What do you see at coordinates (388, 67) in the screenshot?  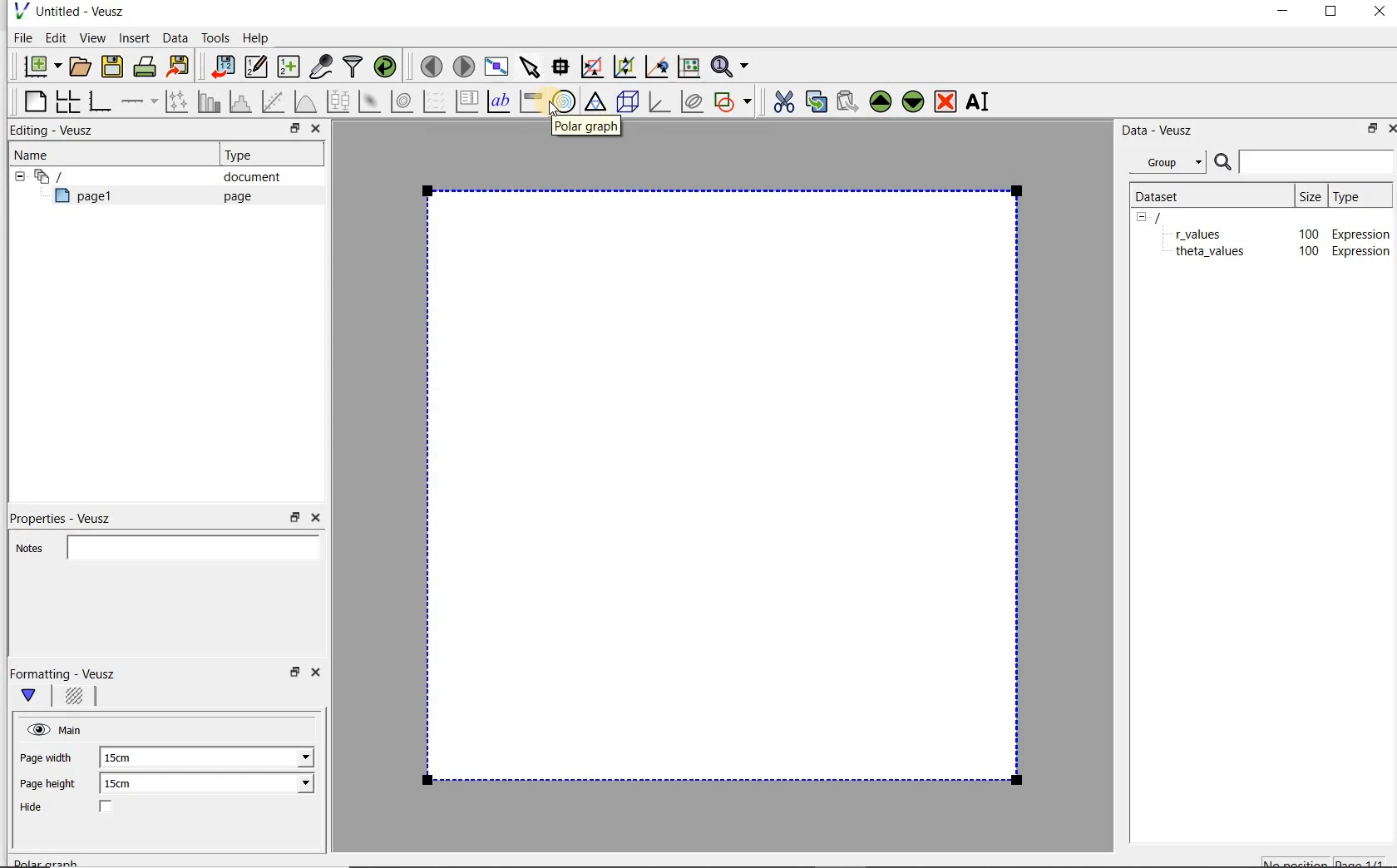 I see `reload linked datasets` at bounding box center [388, 67].